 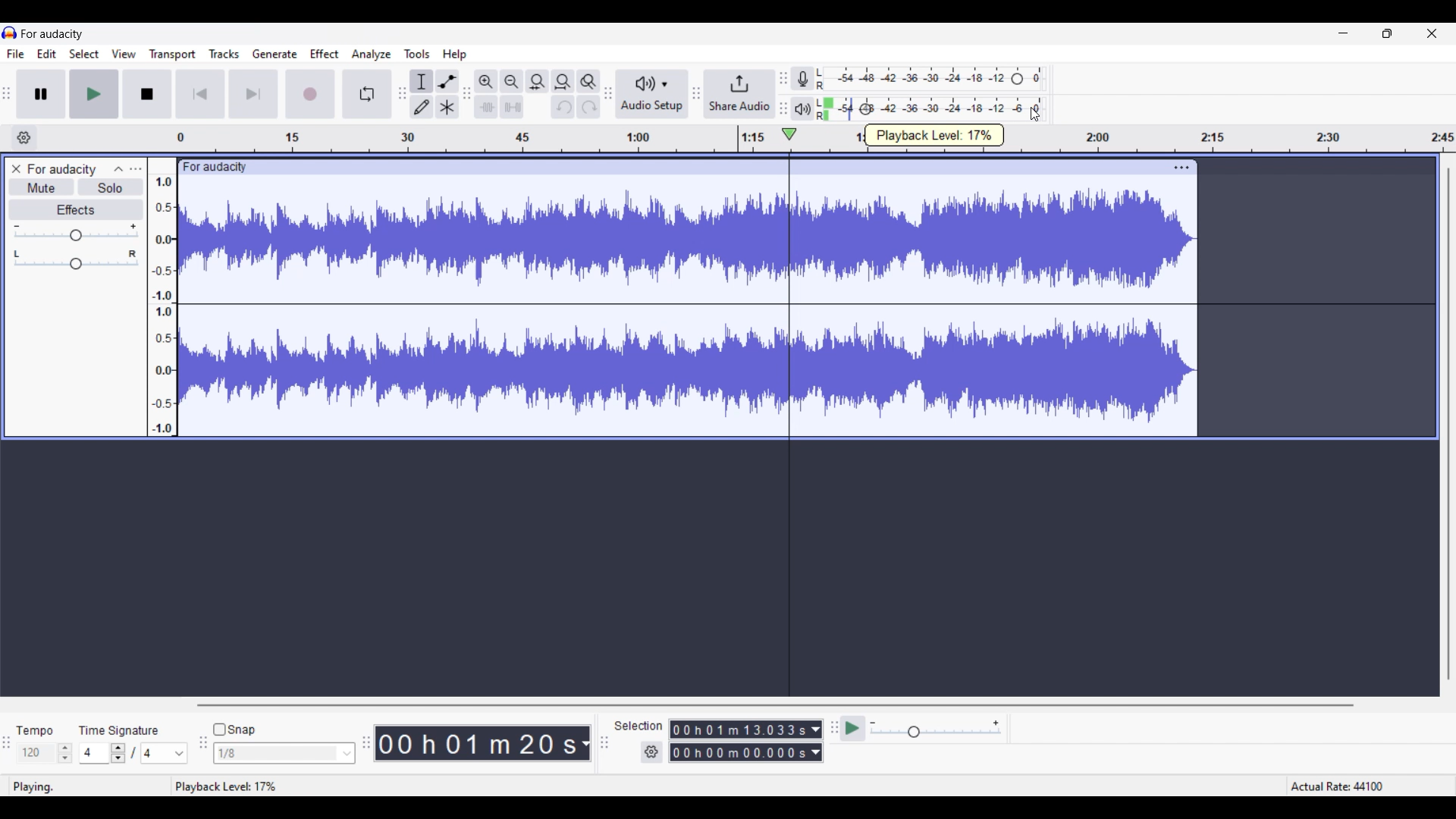 What do you see at coordinates (40, 93) in the screenshot?
I see `Pause` at bounding box center [40, 93].